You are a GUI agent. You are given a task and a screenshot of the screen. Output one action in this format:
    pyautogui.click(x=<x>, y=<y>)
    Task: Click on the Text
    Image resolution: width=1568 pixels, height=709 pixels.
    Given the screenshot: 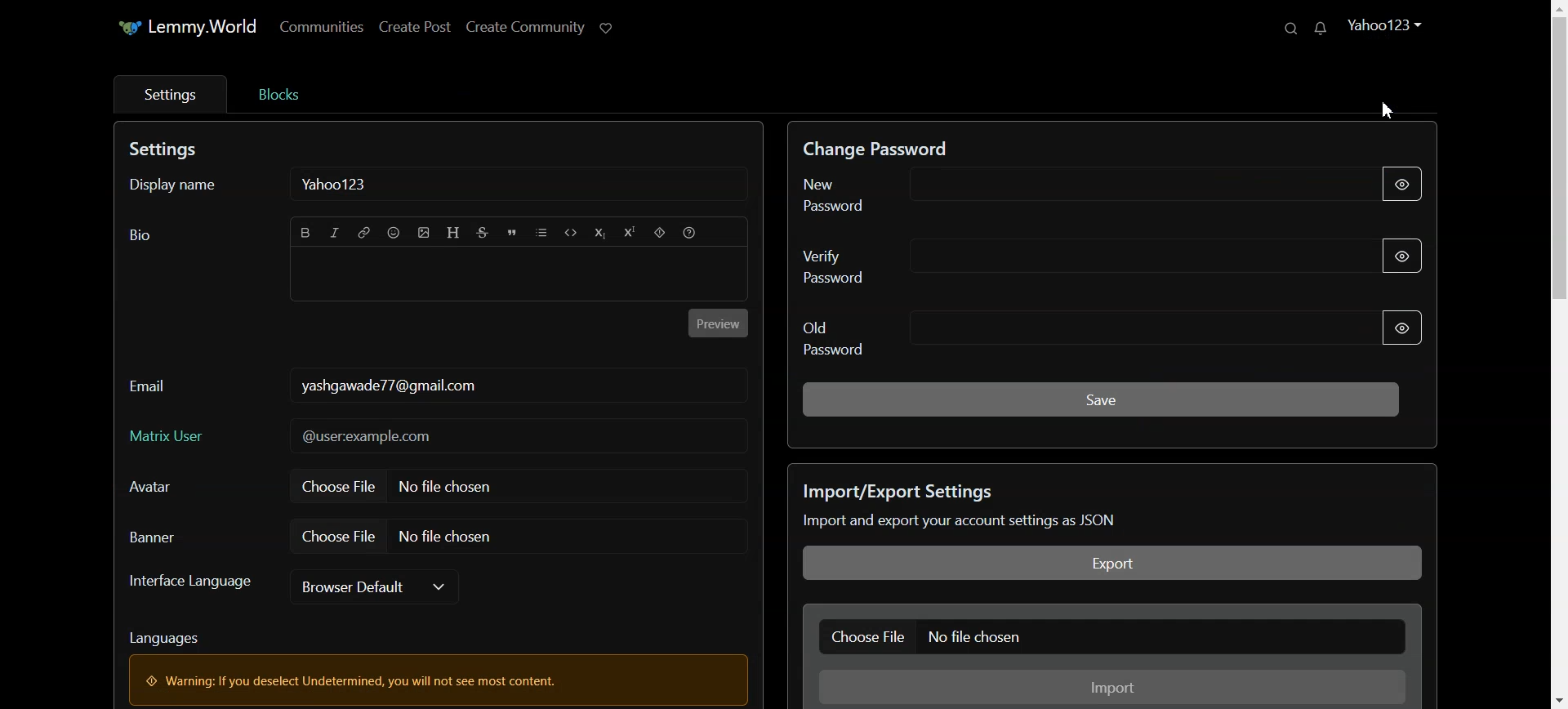 What is the action you would take?
    pyautogui.click(x=339, y=185)
    